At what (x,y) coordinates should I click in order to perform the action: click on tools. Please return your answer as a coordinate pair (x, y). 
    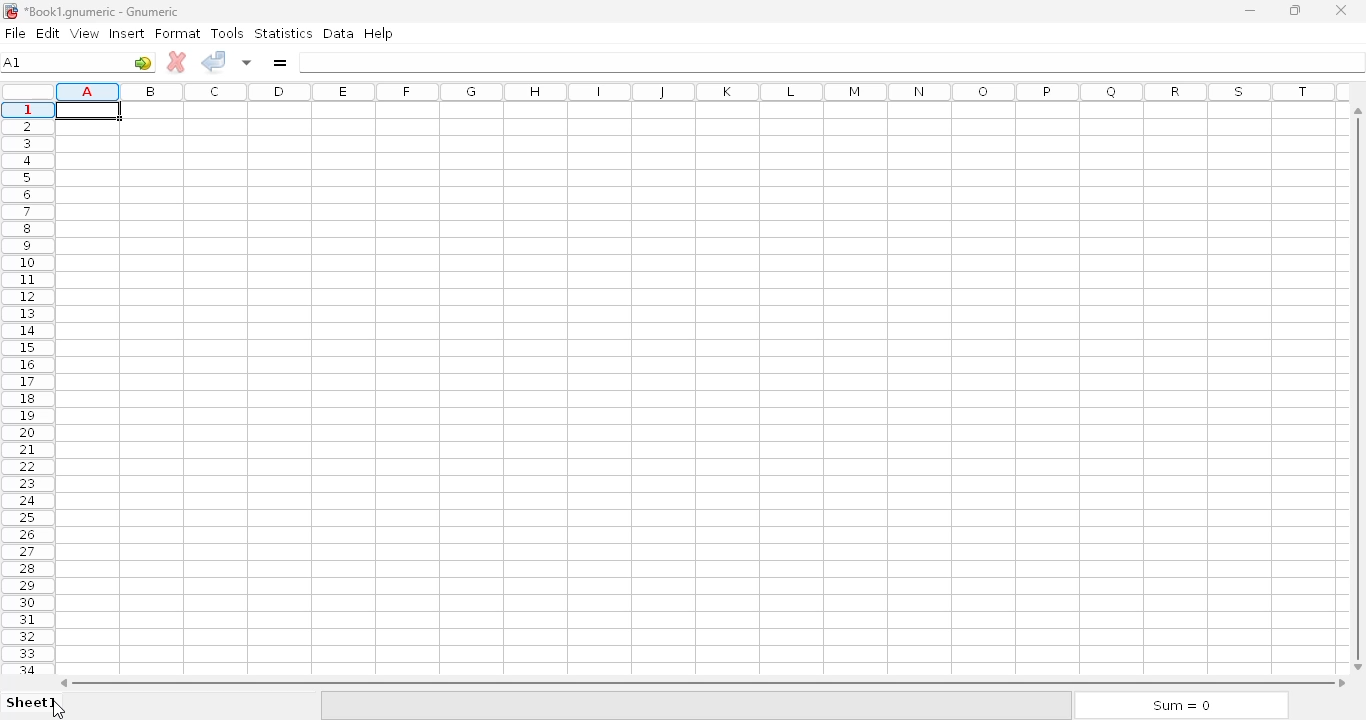
    Looking at the image, I should click on (228, 33).